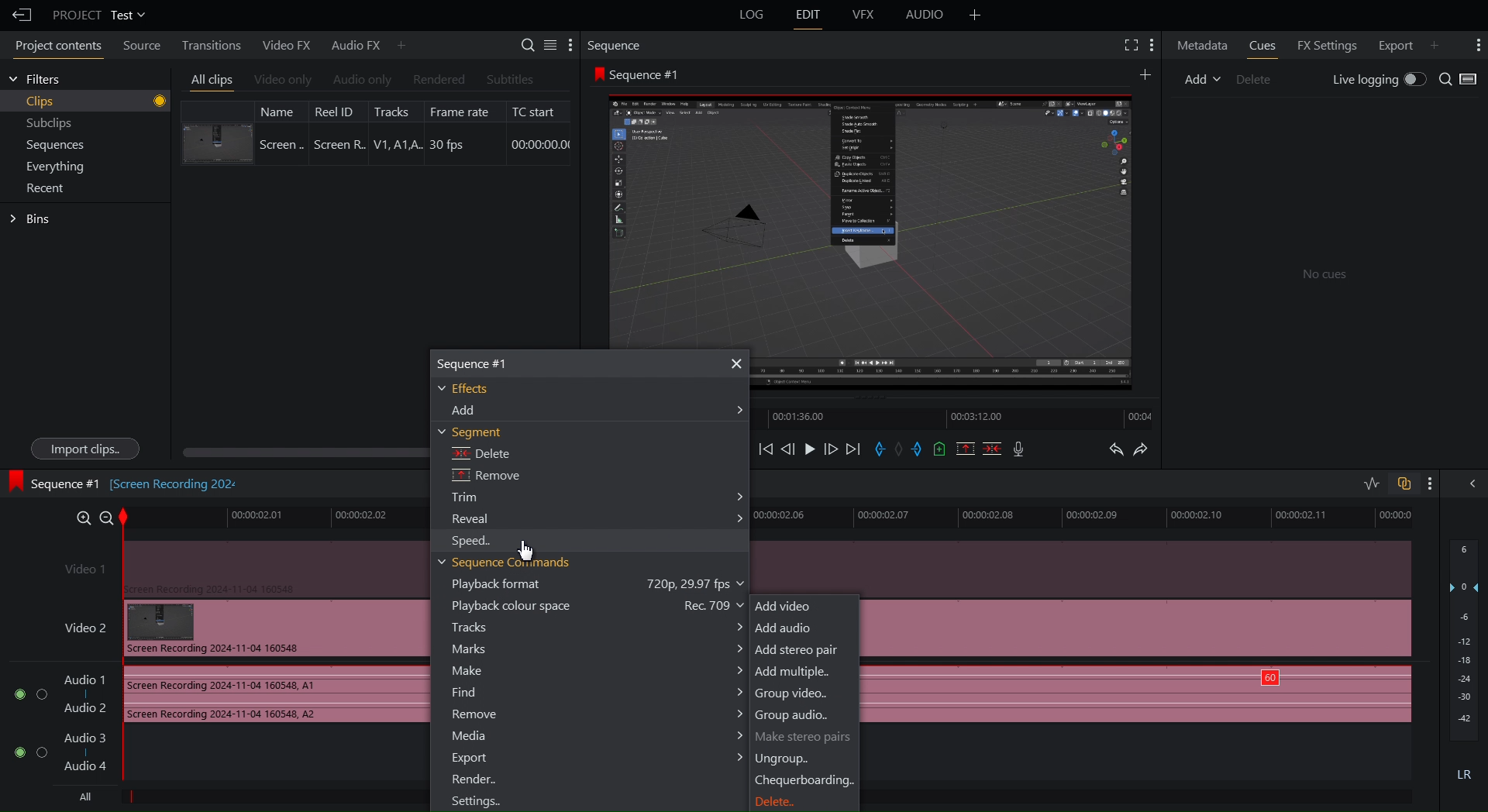 The image size is (1488, 812). What do you see at coordinates (596, 713) in the screenshot?
I see `Remove` at bounding box center [596, 713].